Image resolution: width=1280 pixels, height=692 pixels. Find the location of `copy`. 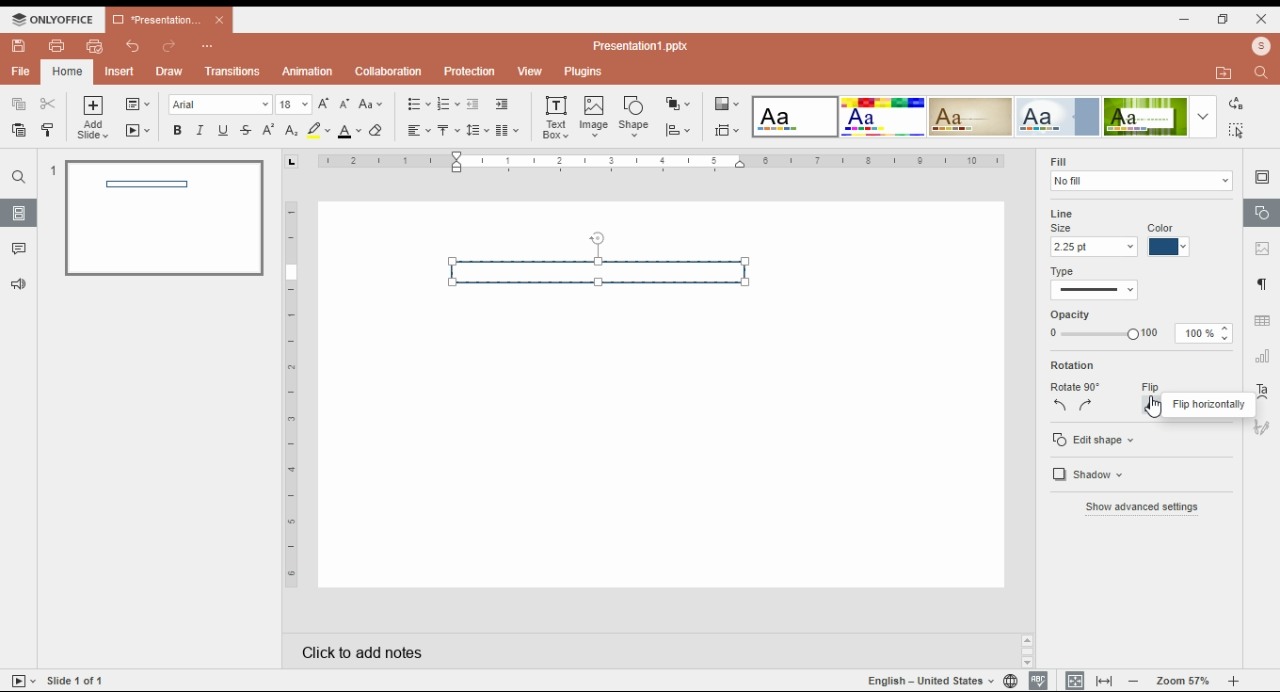

copy is located at coordinates (20, 104).